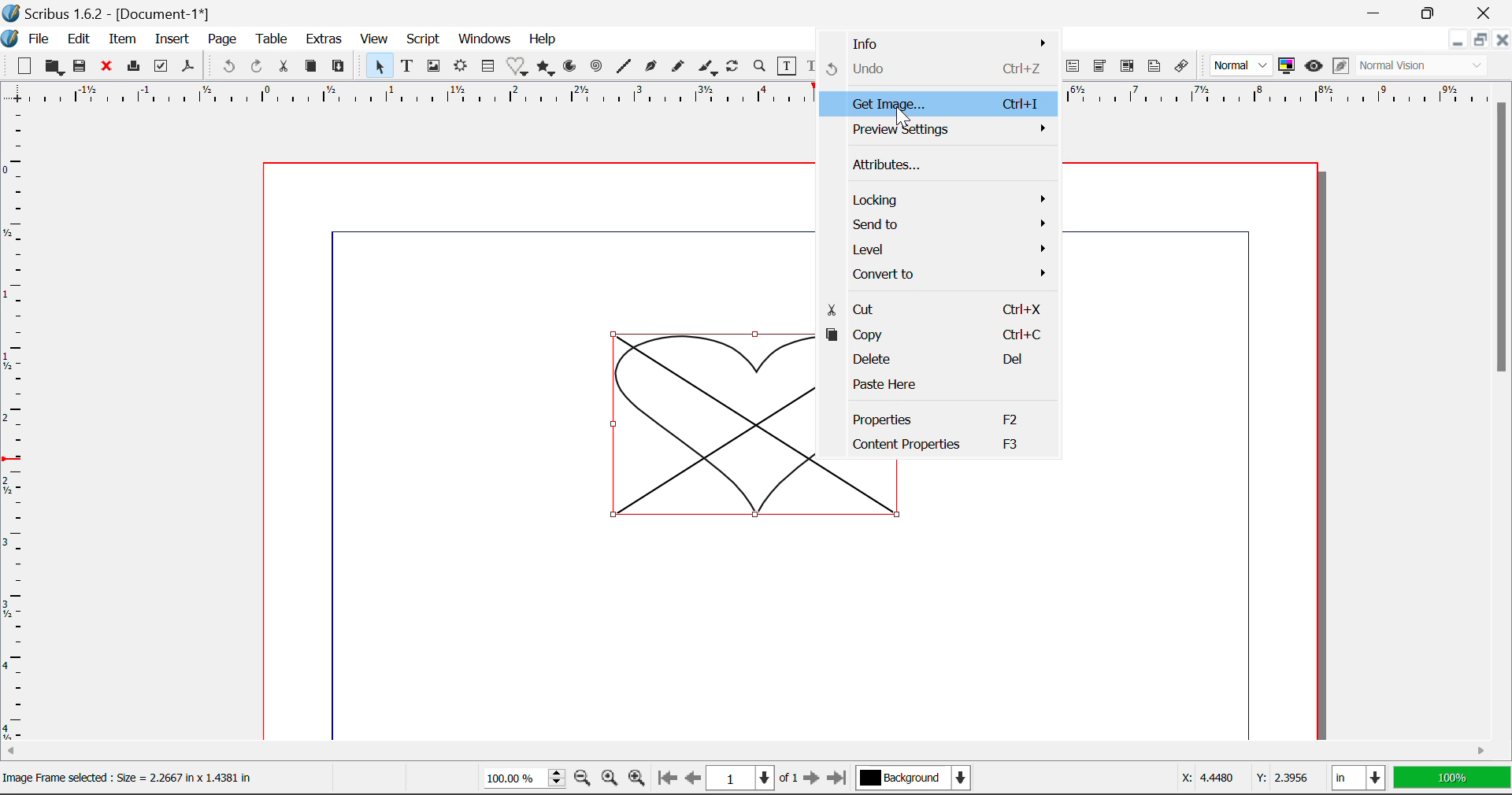 The width and height of the screenshot is (1512, 795). I want to click on Preflight Verifier, so click(162, 70).